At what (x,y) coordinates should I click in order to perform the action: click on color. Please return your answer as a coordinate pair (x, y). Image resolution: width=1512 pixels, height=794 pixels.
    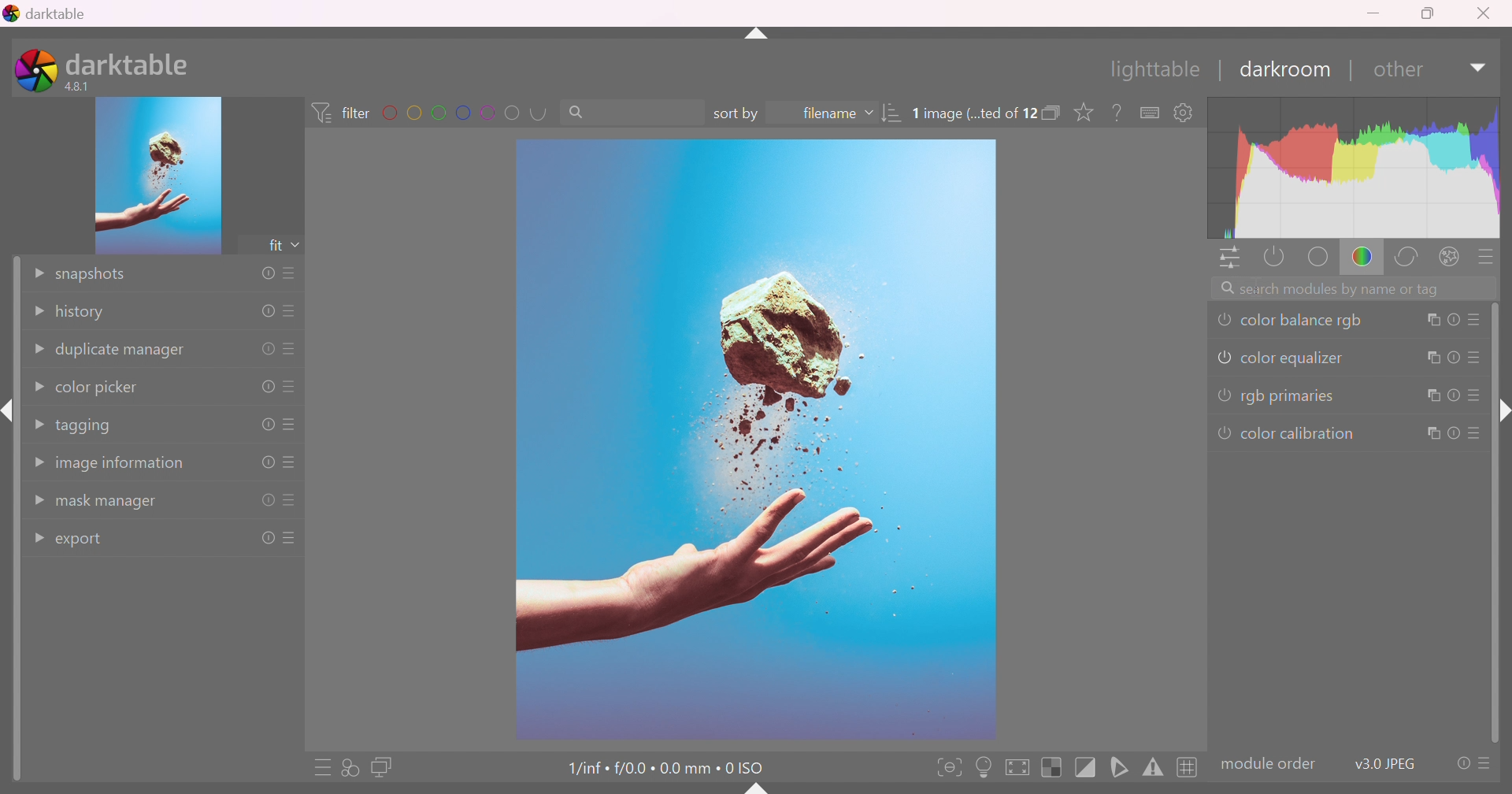
    Looking at the image, I should click on (1364, 260).